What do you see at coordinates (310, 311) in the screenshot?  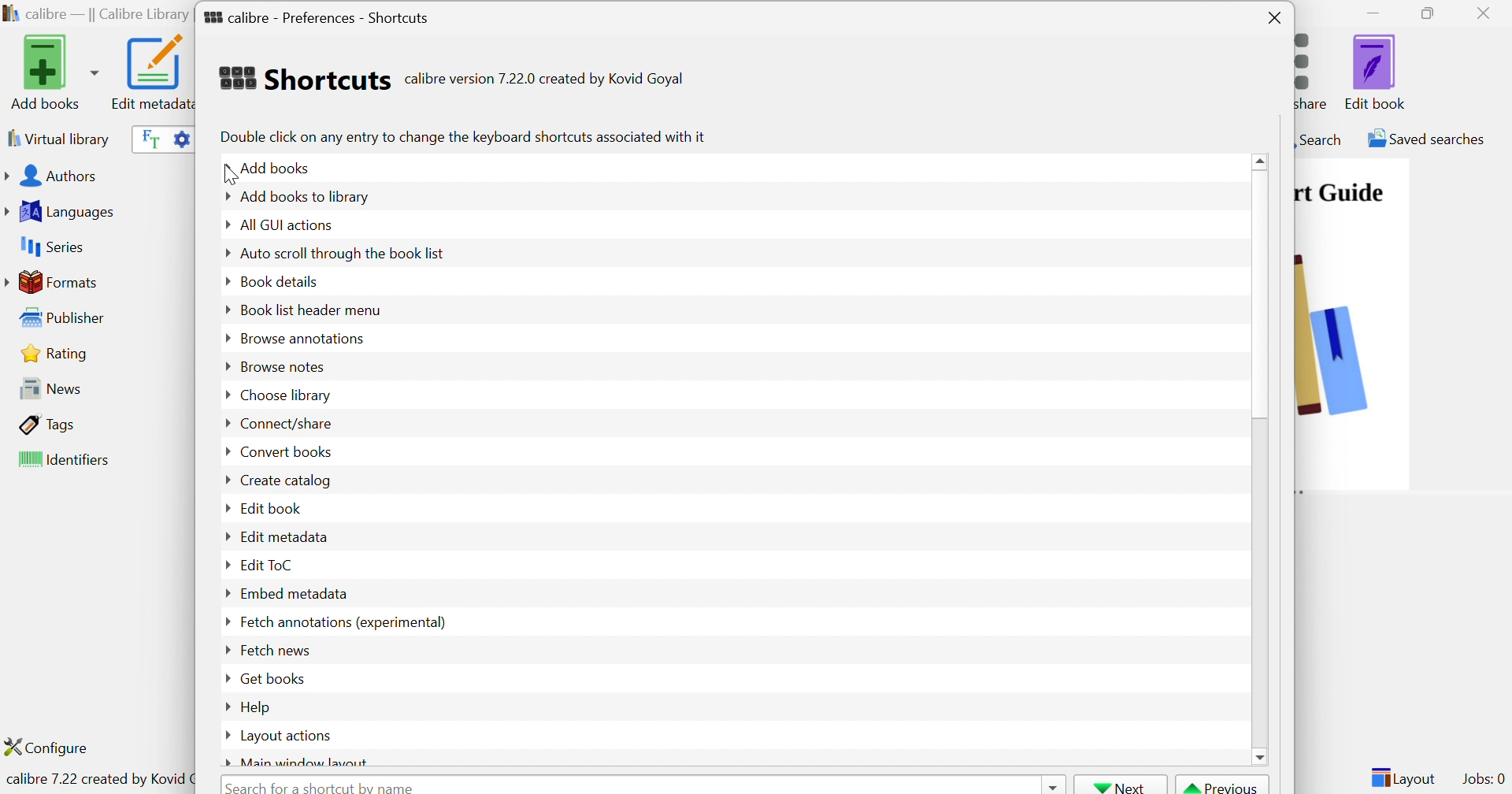 I see `Book list header menu` at bounding box center [310, 311].